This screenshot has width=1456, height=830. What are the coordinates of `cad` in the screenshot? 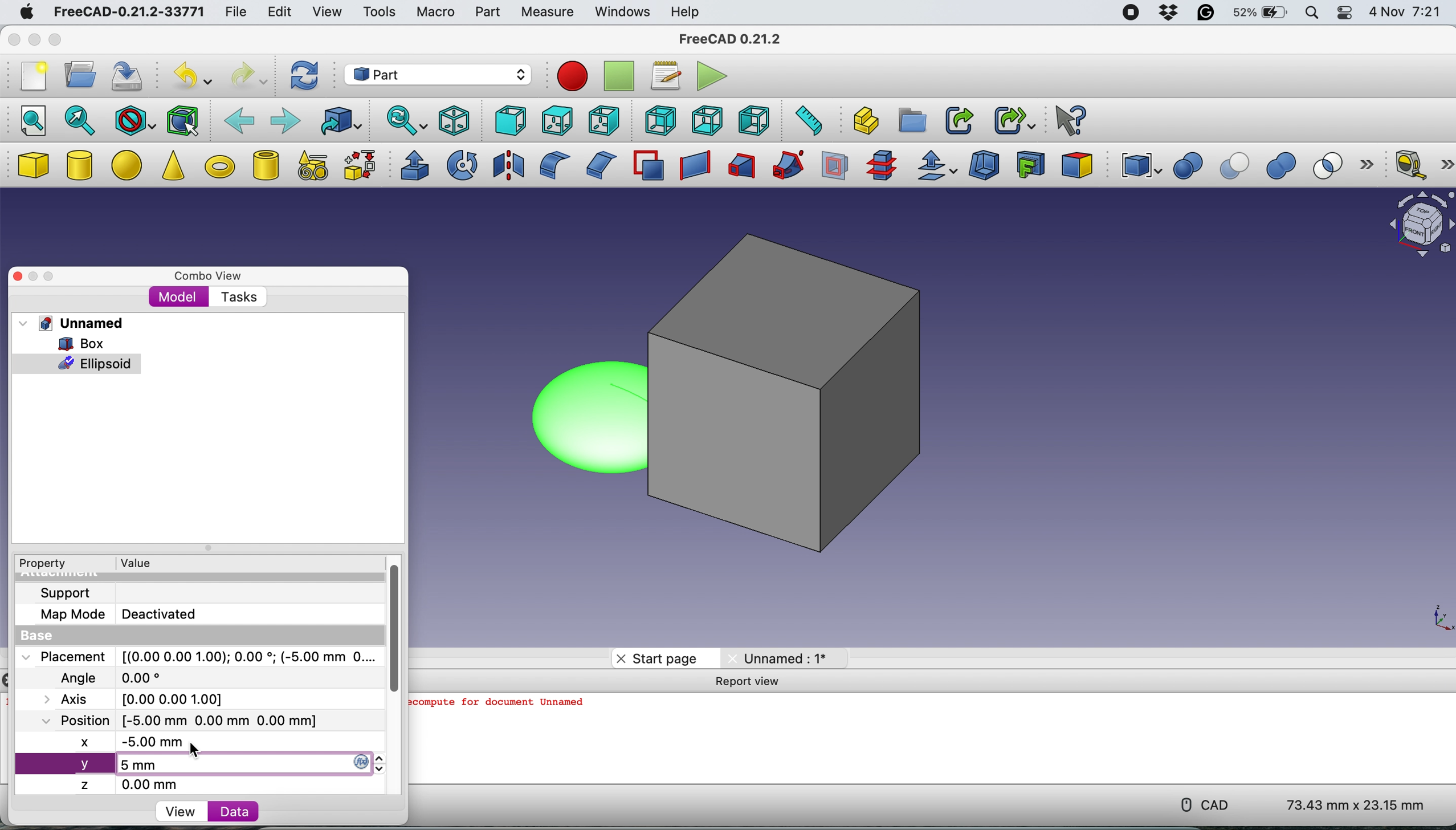 It's located at (1200, 805).